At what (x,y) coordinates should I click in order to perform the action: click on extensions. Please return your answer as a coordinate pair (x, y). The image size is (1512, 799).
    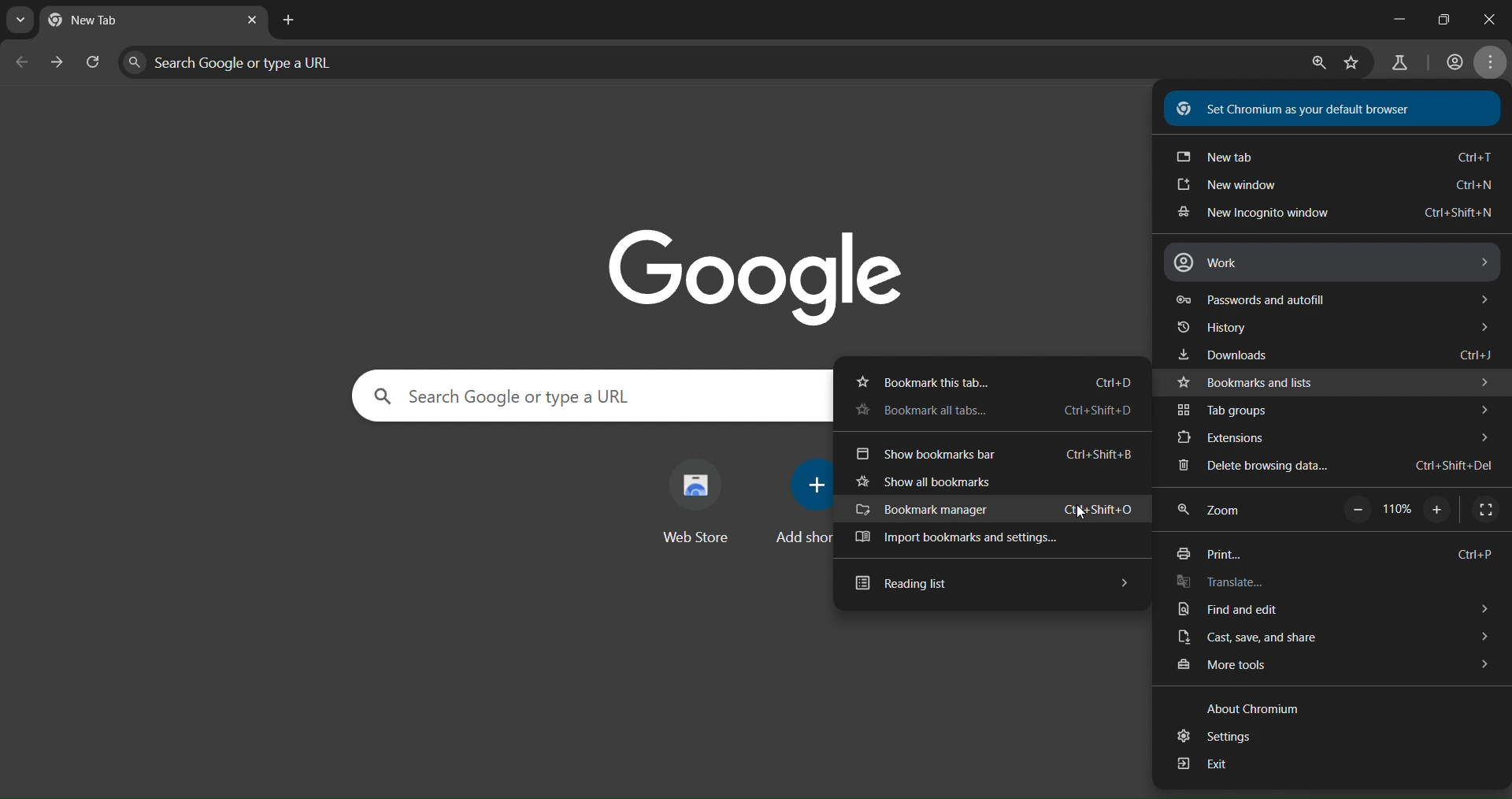
    Looking at the image, I should click on (1332, 437).